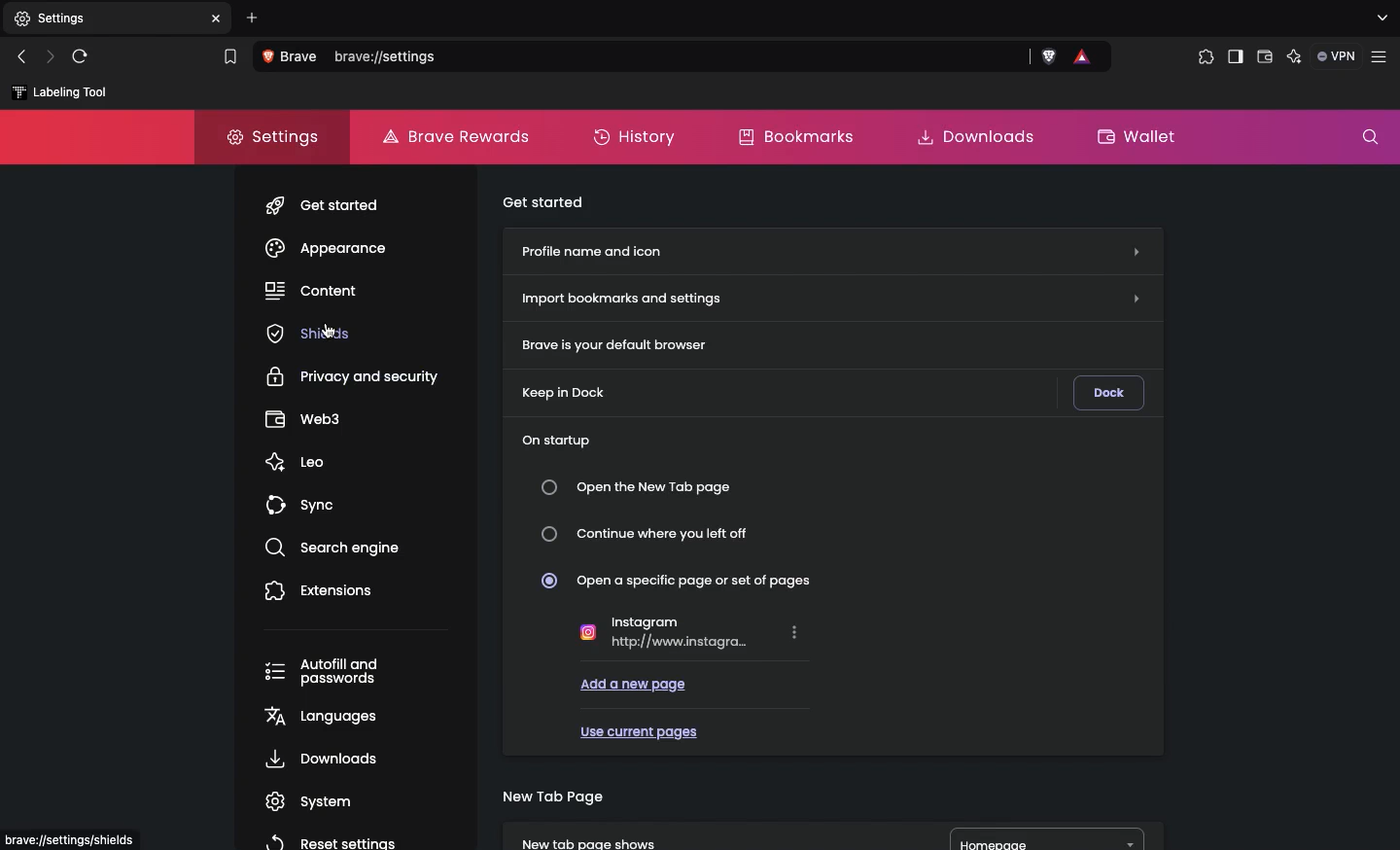 The image size is (1400, 850). I want to click on Open the new tab page, so click(648, 485).